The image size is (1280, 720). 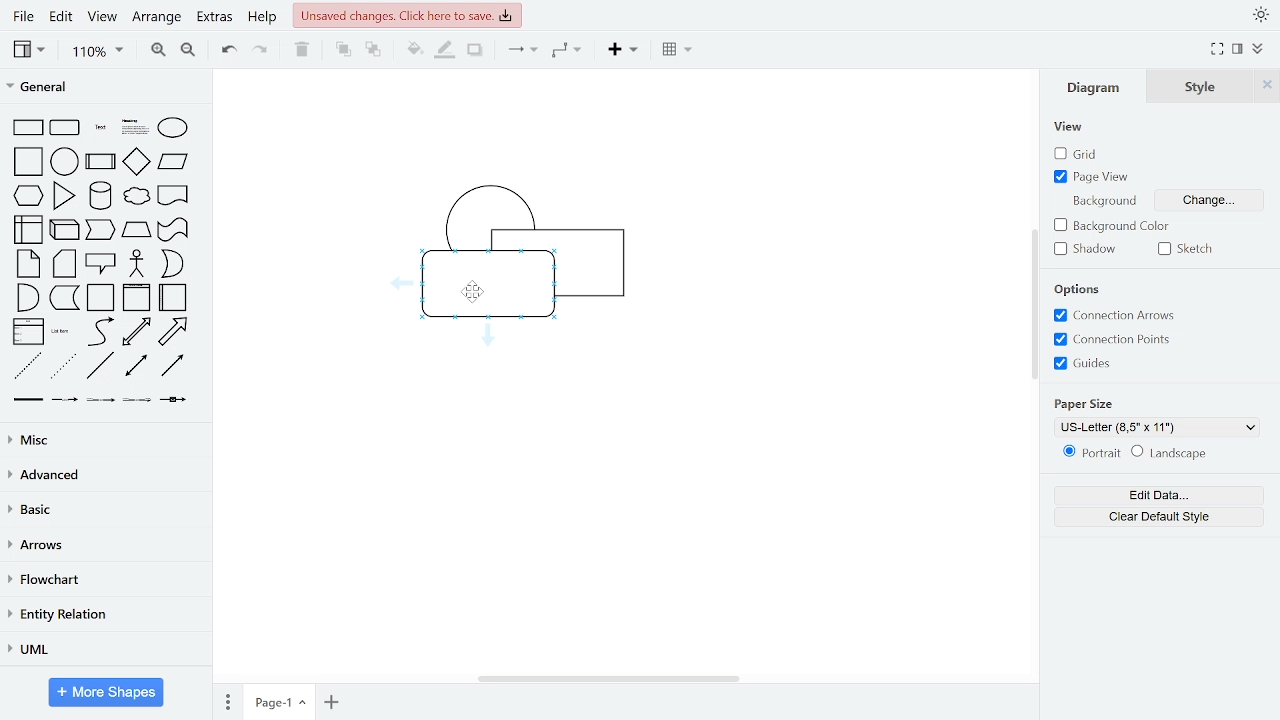 What do you see at coordinates (1203, 88) in the screenshot?
I see `style` at bounding box center [1203, 88].